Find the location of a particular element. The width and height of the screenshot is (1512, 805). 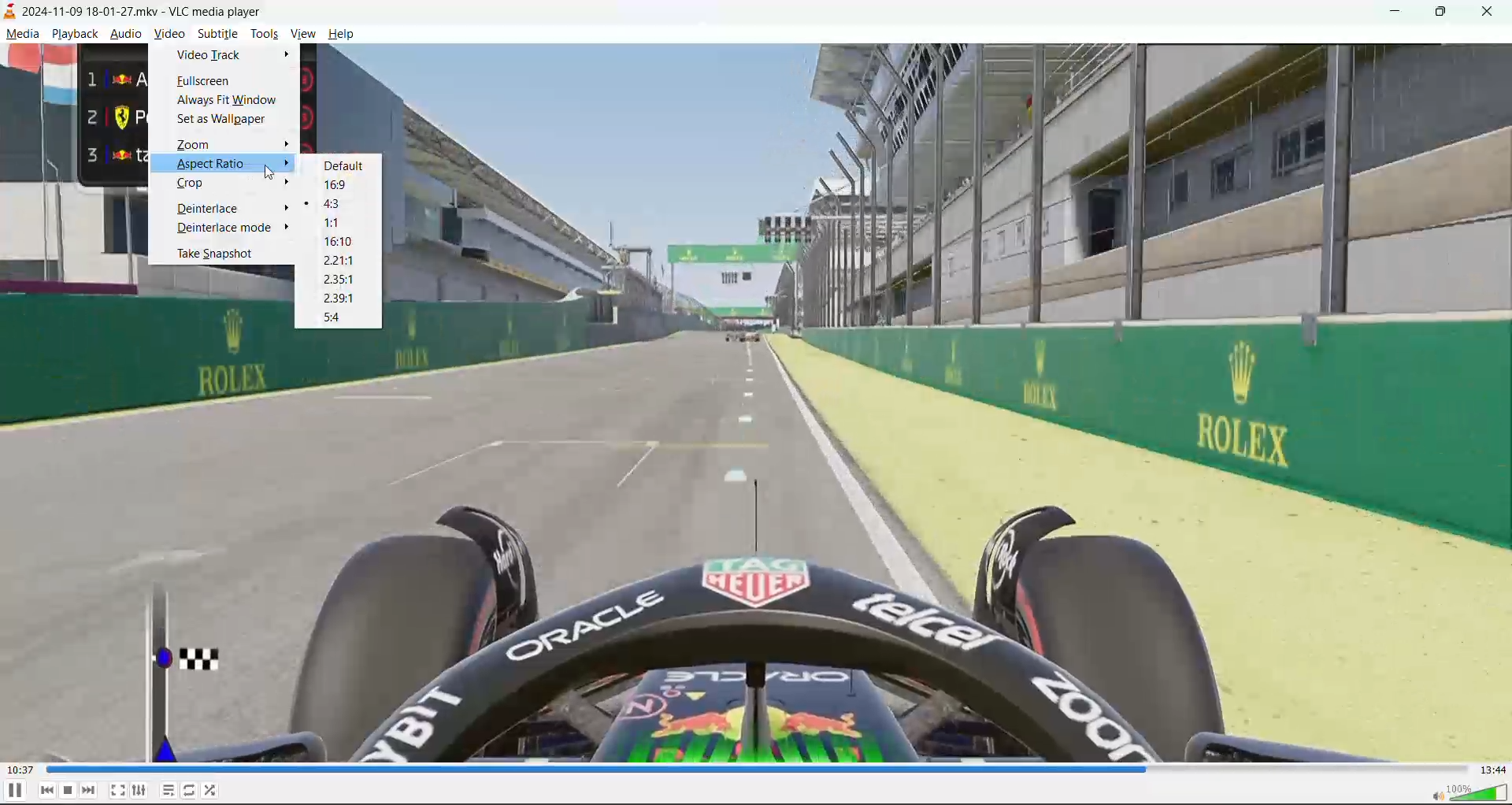

fullscreen is located at coordinates (204, 82).